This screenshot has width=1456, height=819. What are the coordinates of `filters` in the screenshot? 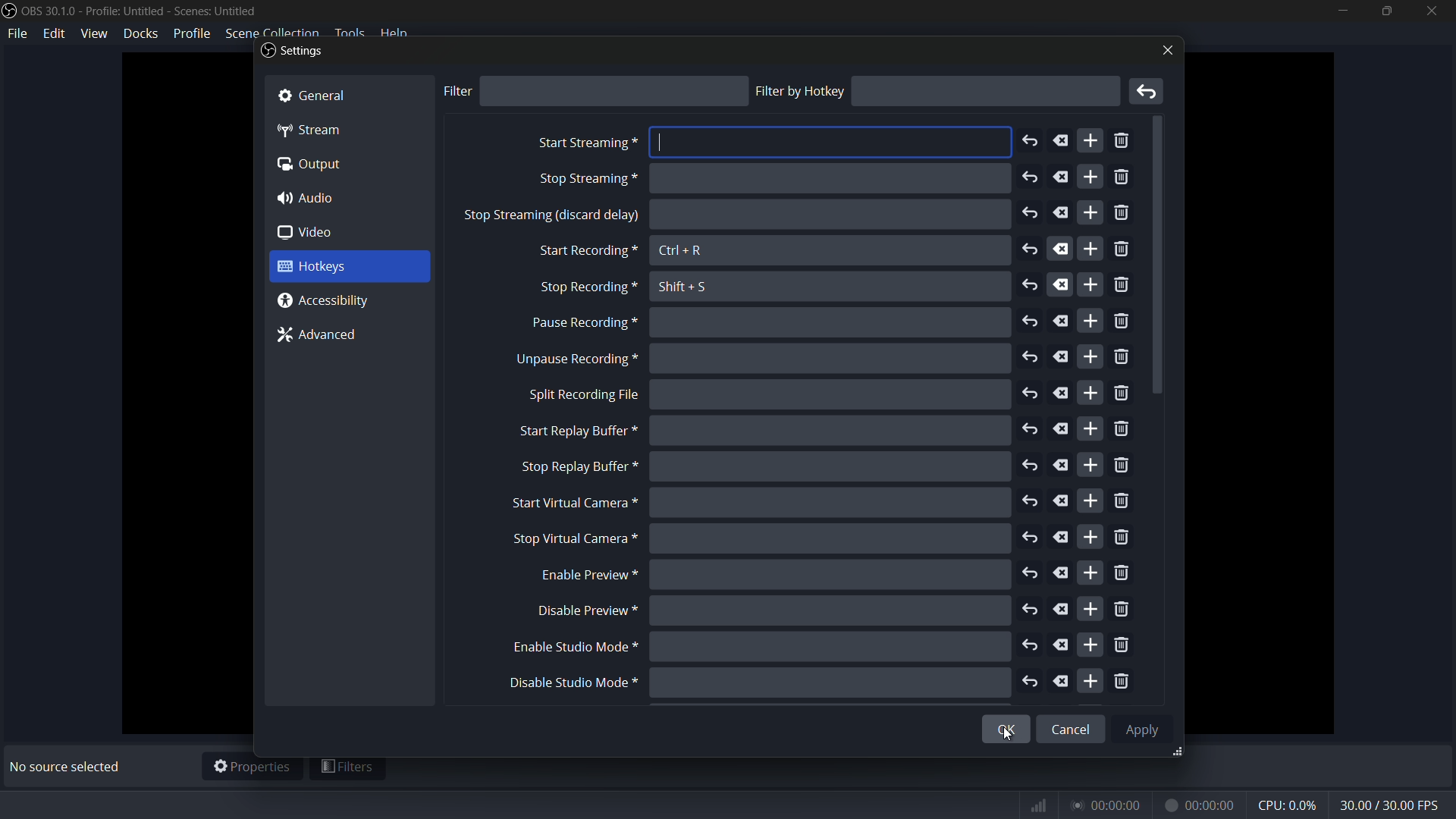 It's located at (348, 769).